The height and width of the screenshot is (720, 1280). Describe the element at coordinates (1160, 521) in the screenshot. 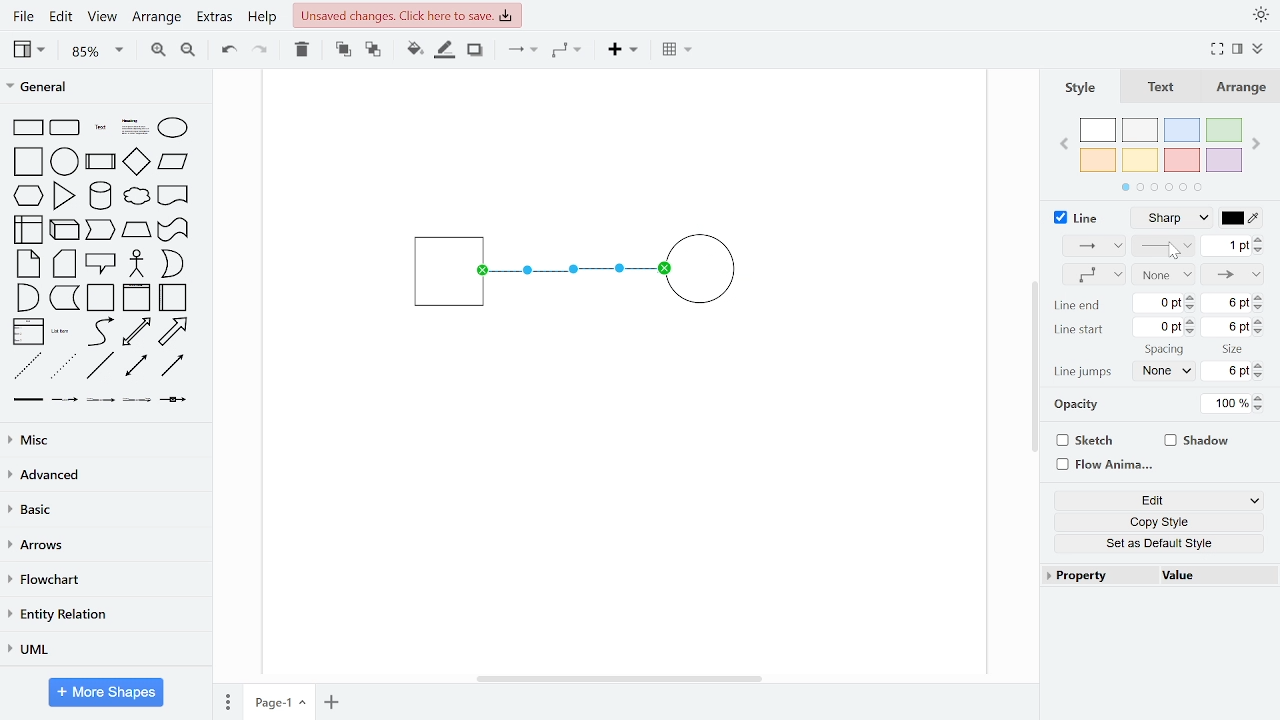

I see `copy style` at that location.